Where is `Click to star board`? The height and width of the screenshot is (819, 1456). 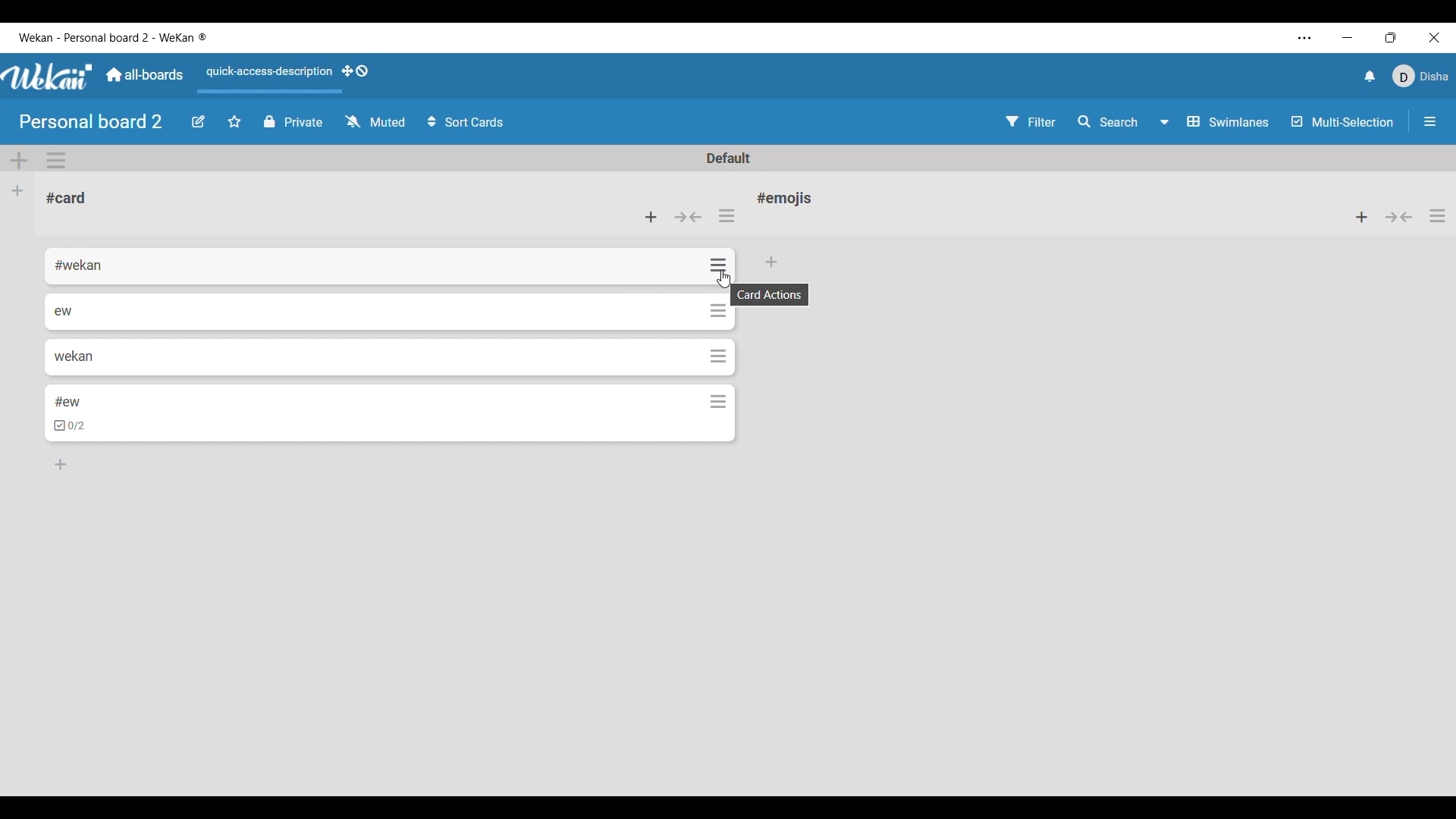 Click to star board is located at coordinates (234, 122).